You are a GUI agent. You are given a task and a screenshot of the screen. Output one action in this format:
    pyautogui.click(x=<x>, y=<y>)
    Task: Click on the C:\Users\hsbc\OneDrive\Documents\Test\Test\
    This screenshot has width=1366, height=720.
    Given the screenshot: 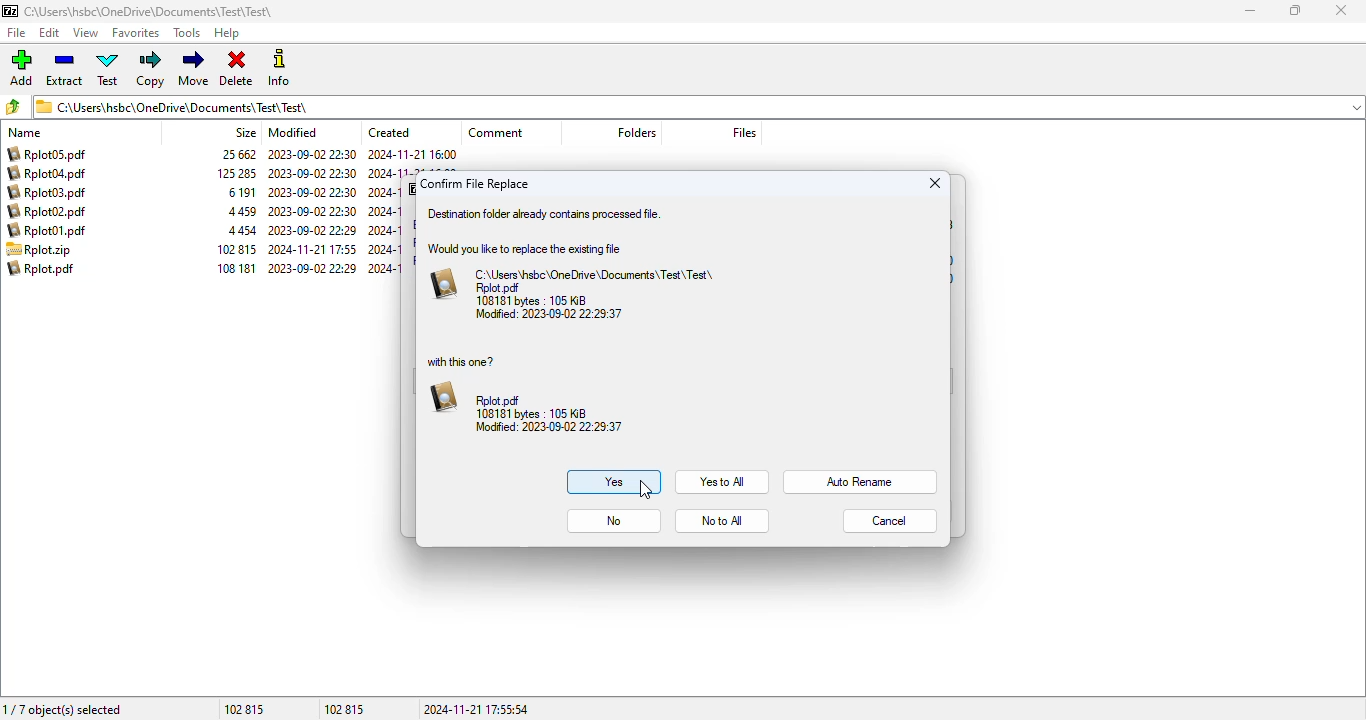 What is the action you would take?
    pyautogui.click(x=150, y=12)
    